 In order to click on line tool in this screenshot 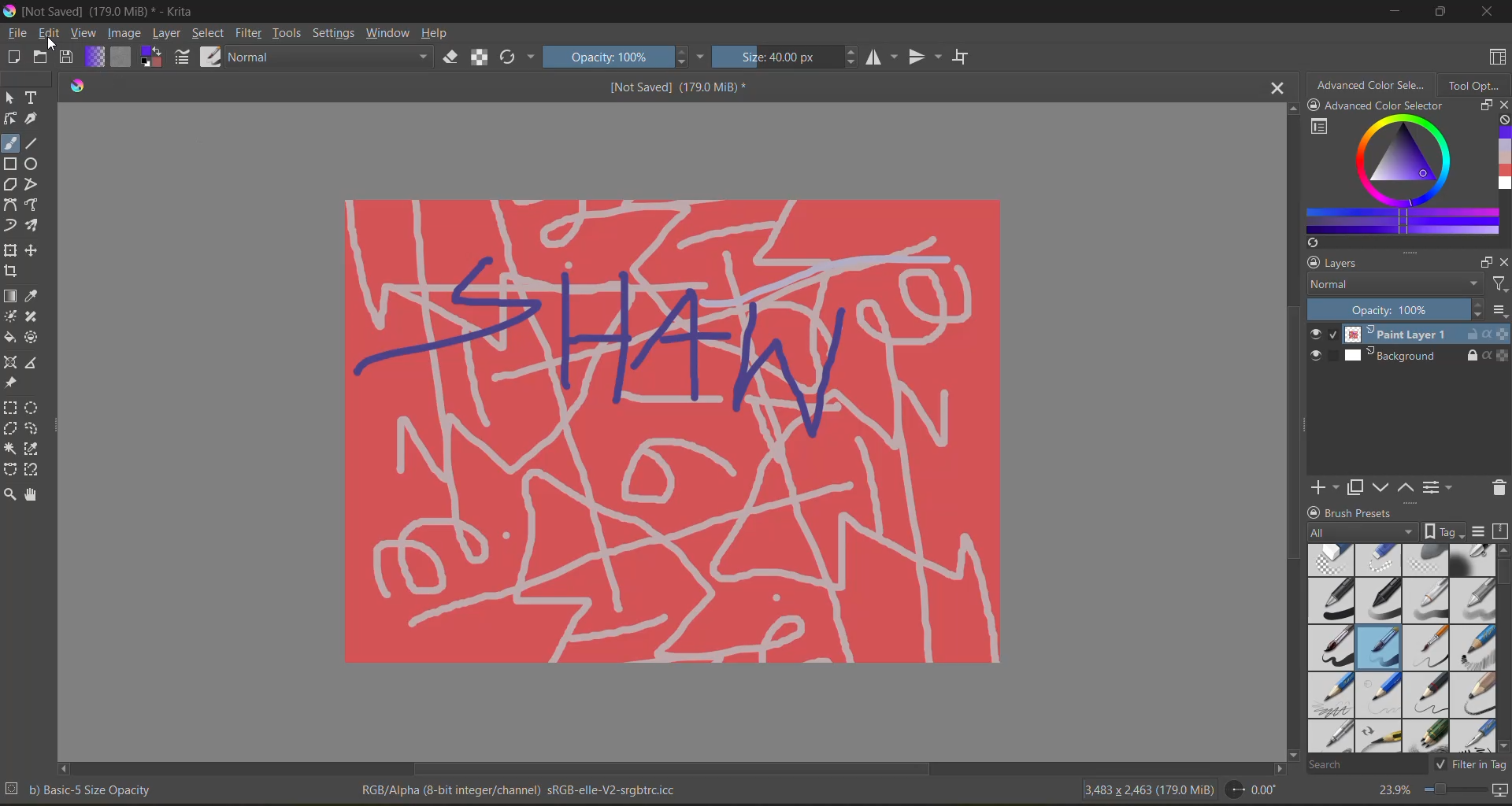, I will do `click(34, 143)`.